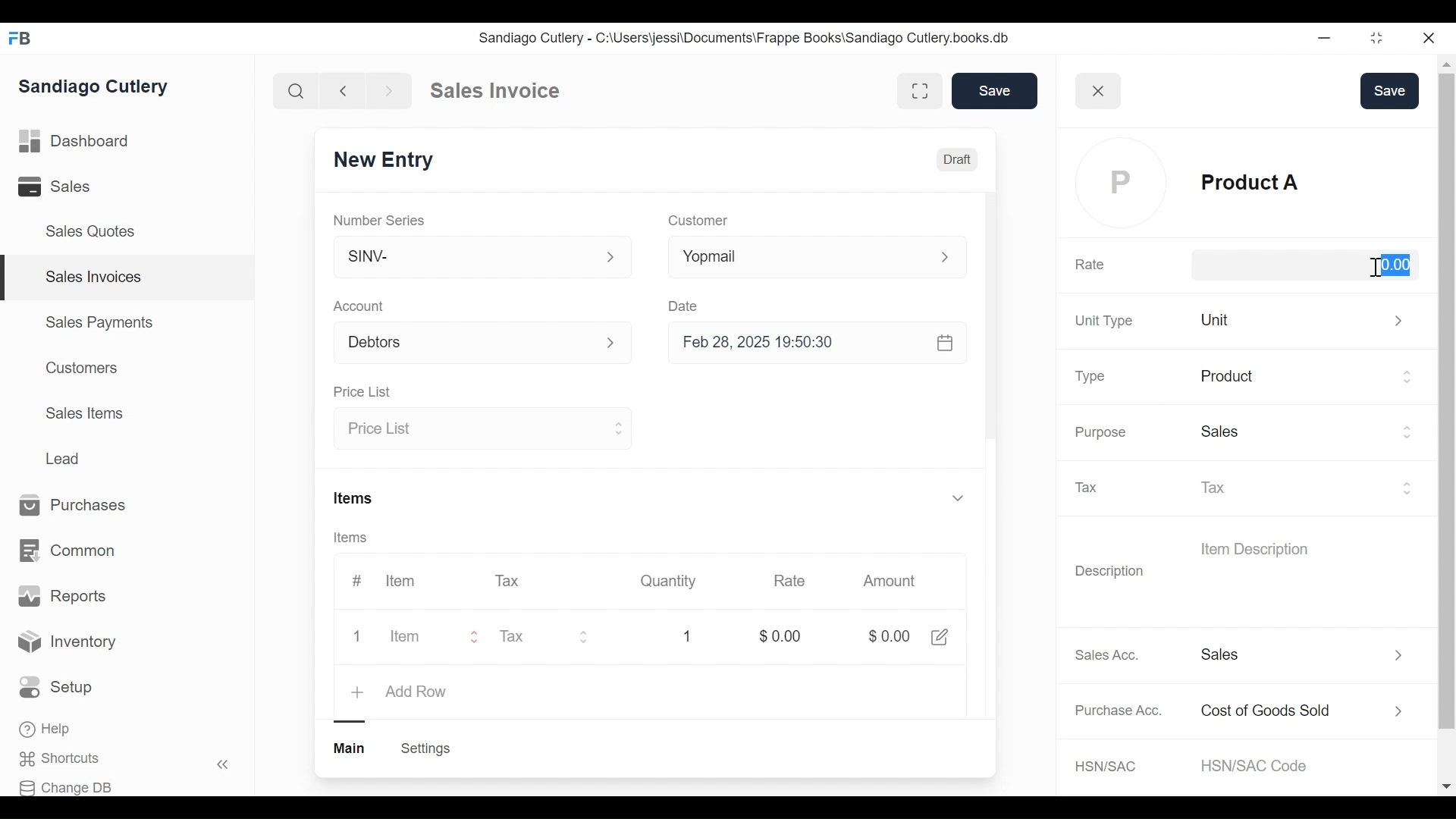  What do you see at coordinates (484, 342) in the screenshot?
I see `Account p` at bounding box center [484, 342].